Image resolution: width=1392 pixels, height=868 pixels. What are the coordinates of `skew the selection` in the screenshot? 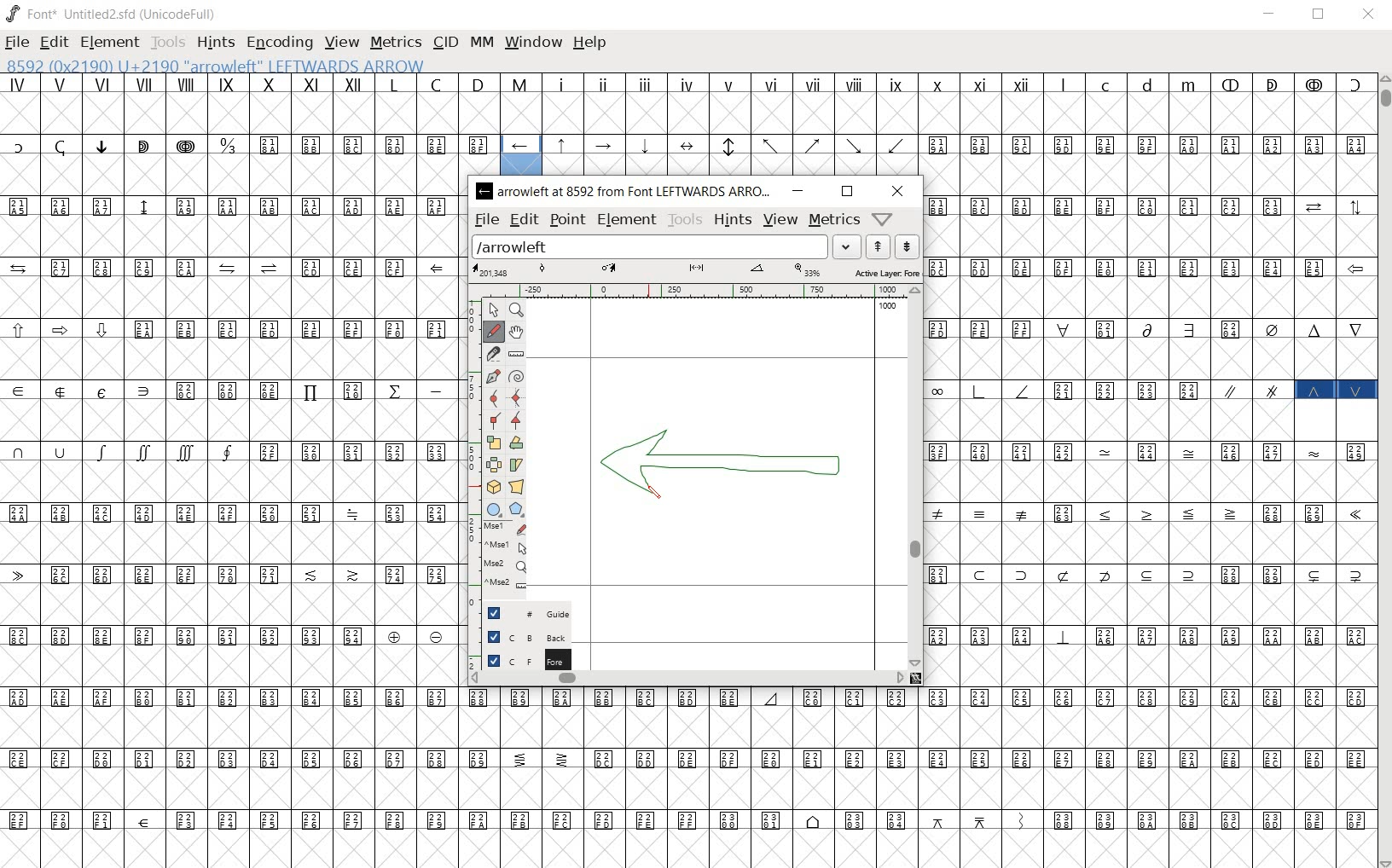 It's located at (517, 465).